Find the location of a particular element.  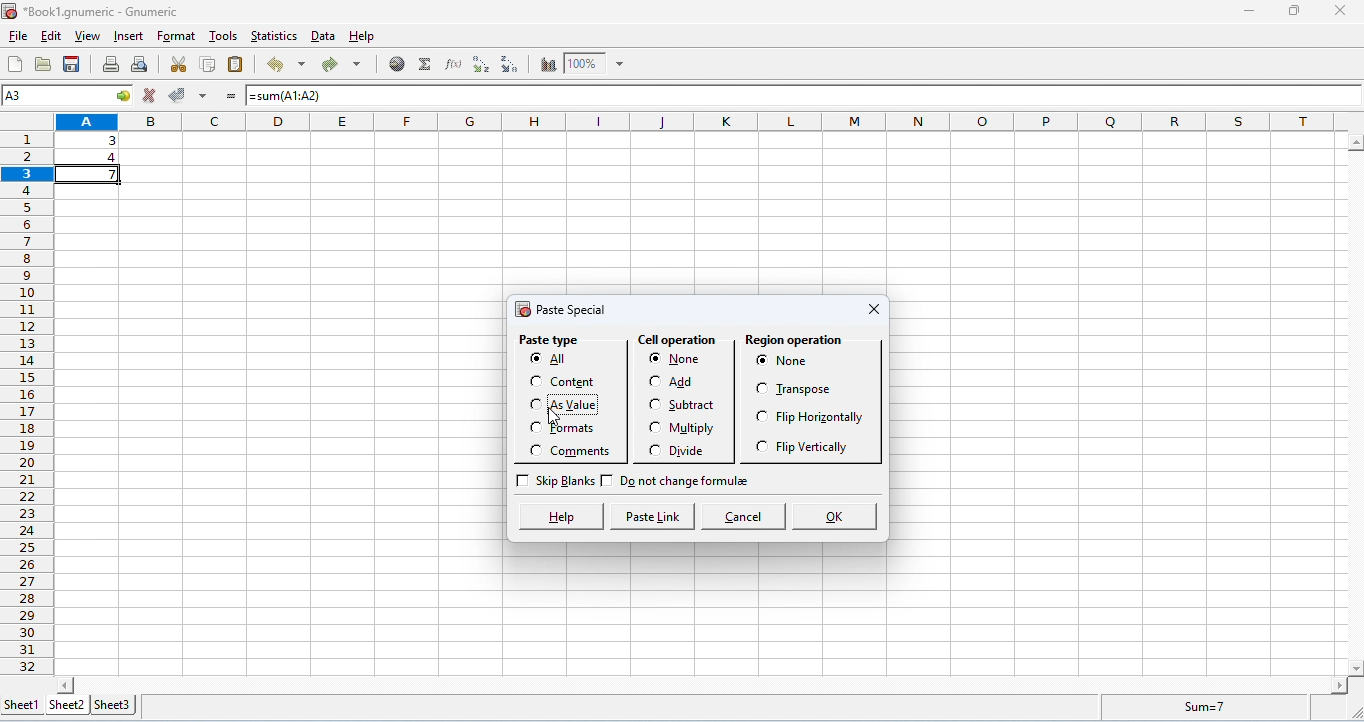

paste special is located at coordinates (562, 311).